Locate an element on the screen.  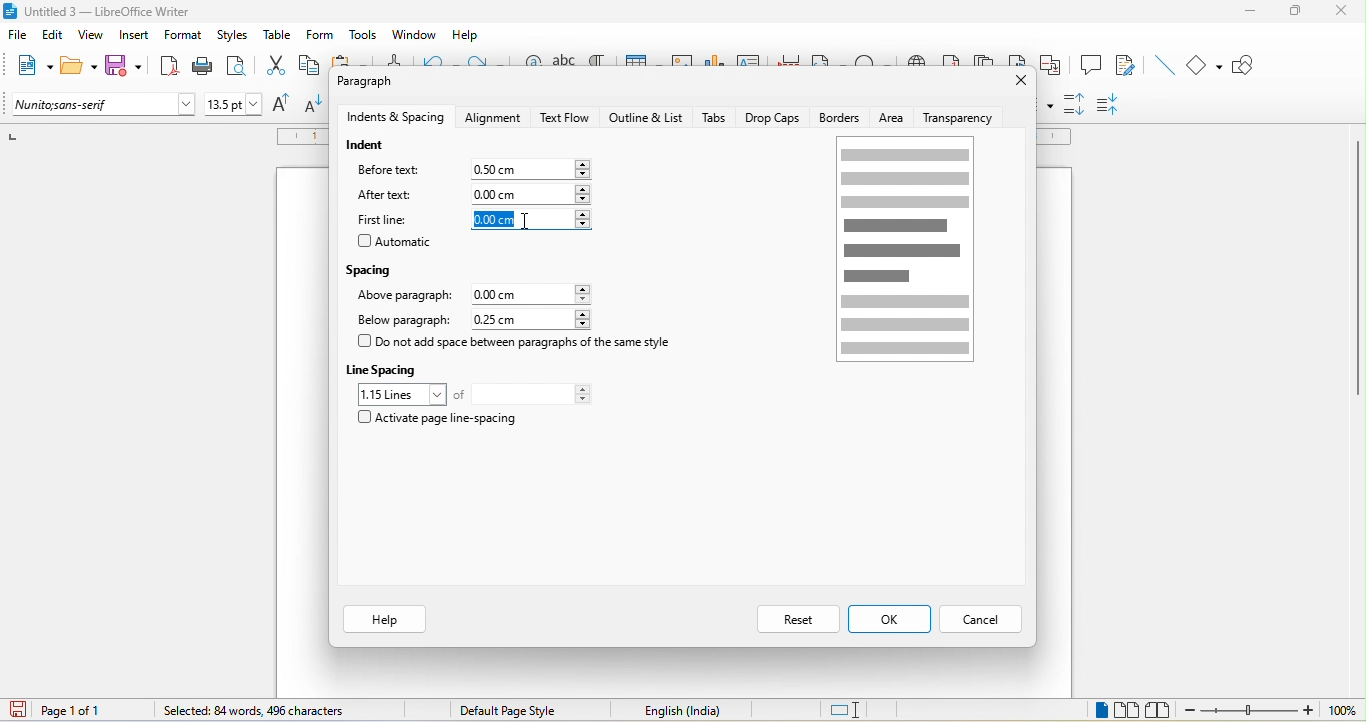
zoom is located at coordinates (1250, 712).